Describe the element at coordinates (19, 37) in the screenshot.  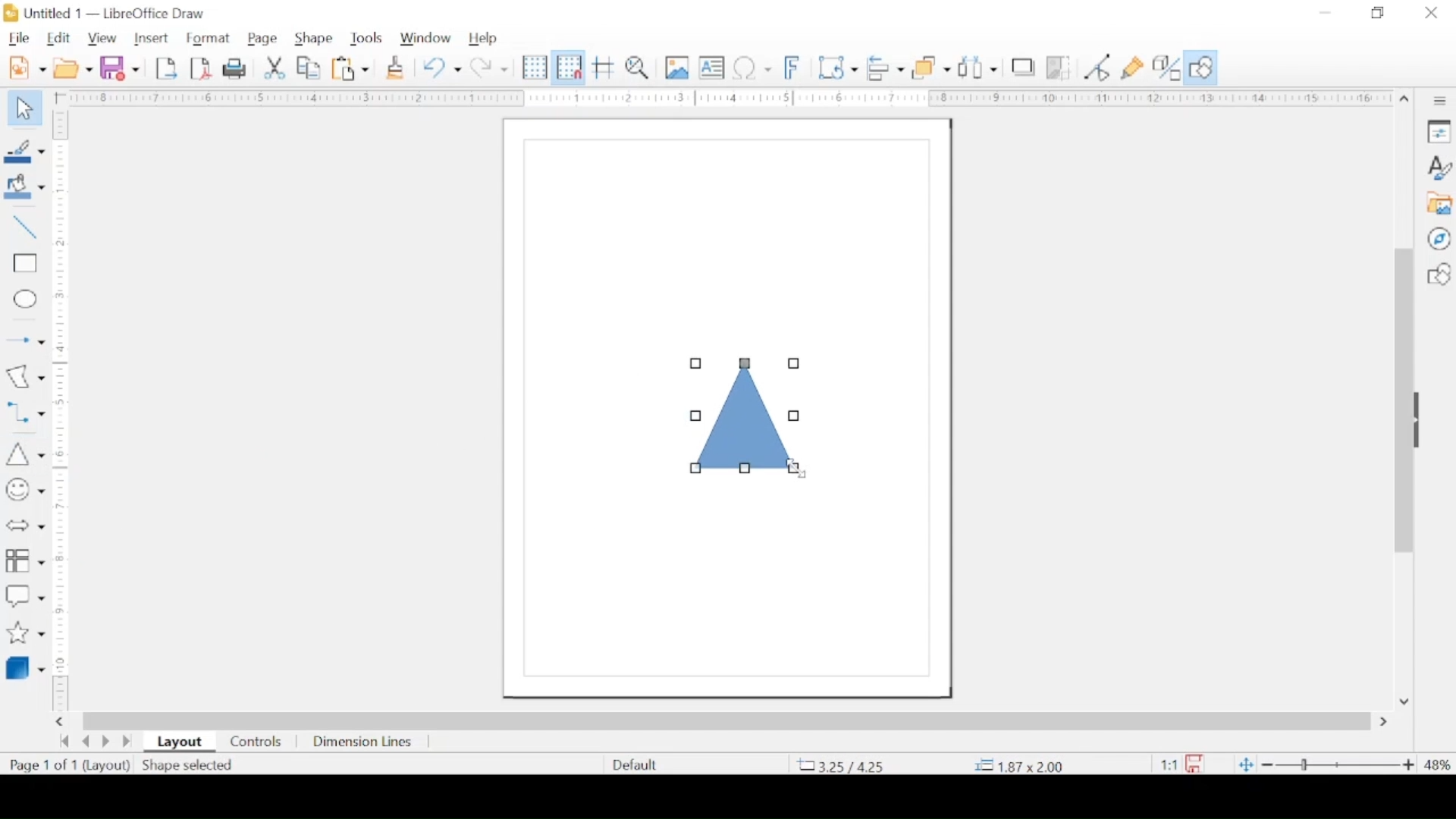
I see `file` at that location.